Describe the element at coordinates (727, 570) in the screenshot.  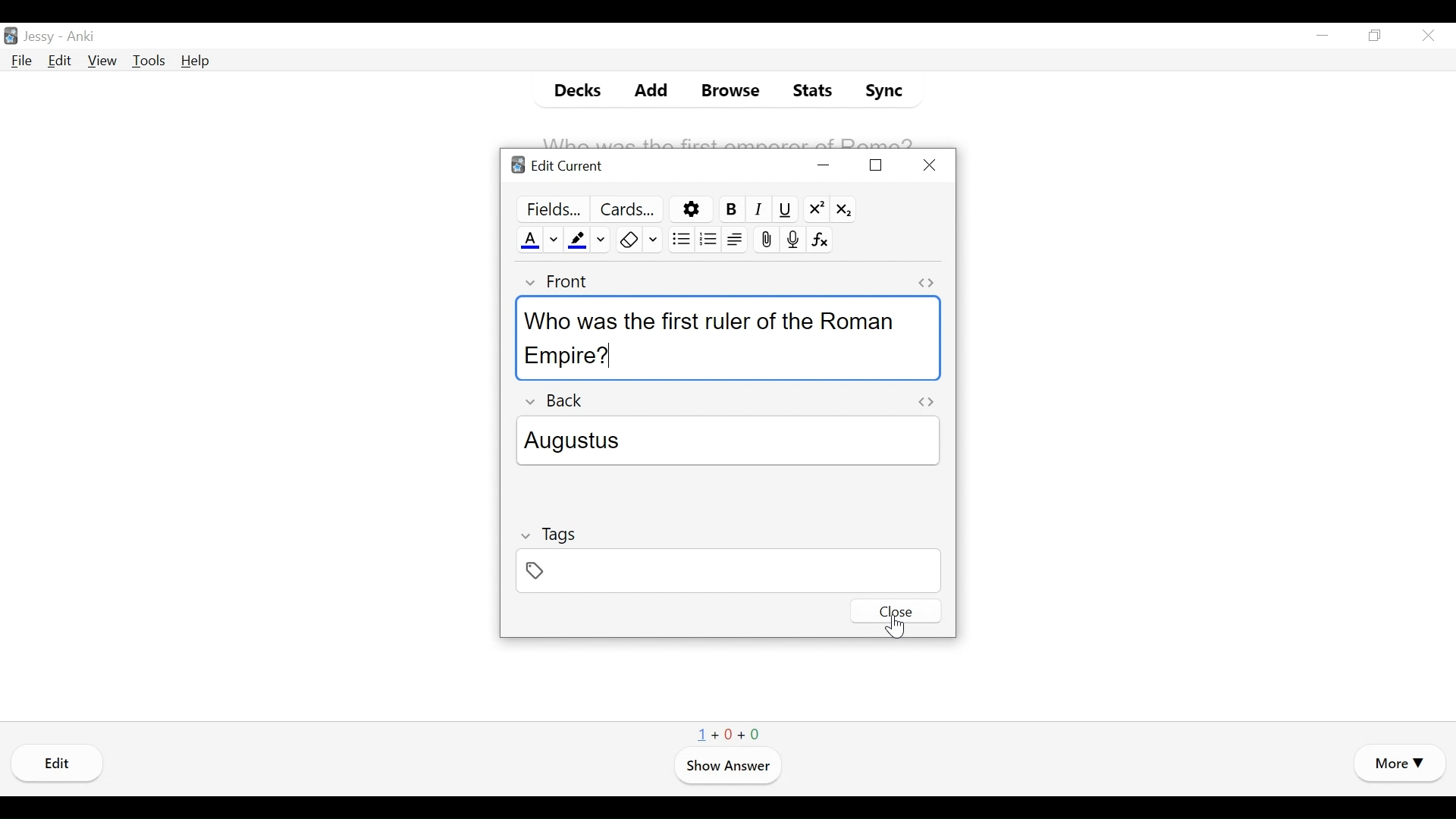
I see `Tags Field` at that location.